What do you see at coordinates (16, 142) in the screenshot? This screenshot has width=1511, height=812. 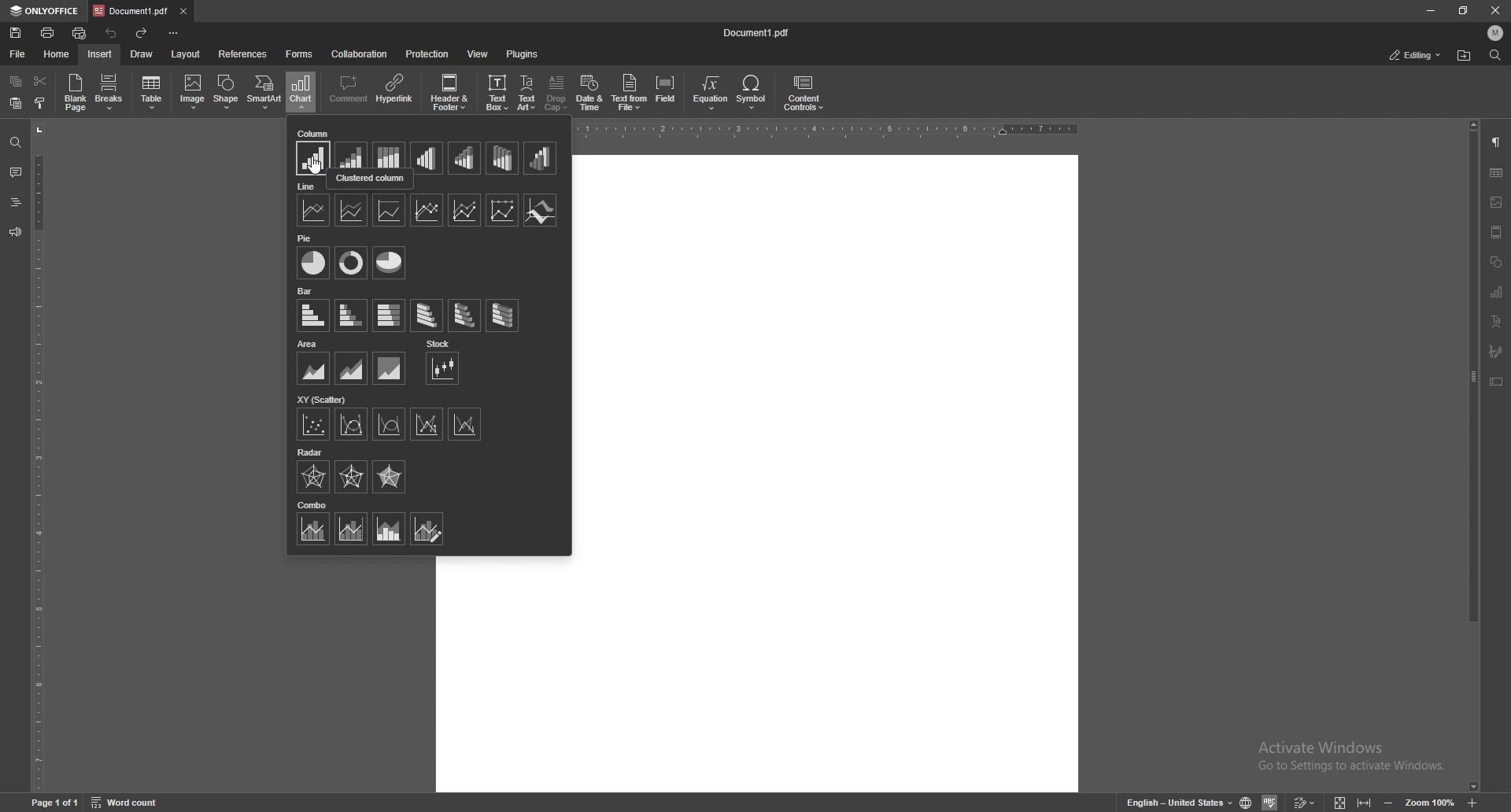 I see `find` at bounding box center [16, 142].